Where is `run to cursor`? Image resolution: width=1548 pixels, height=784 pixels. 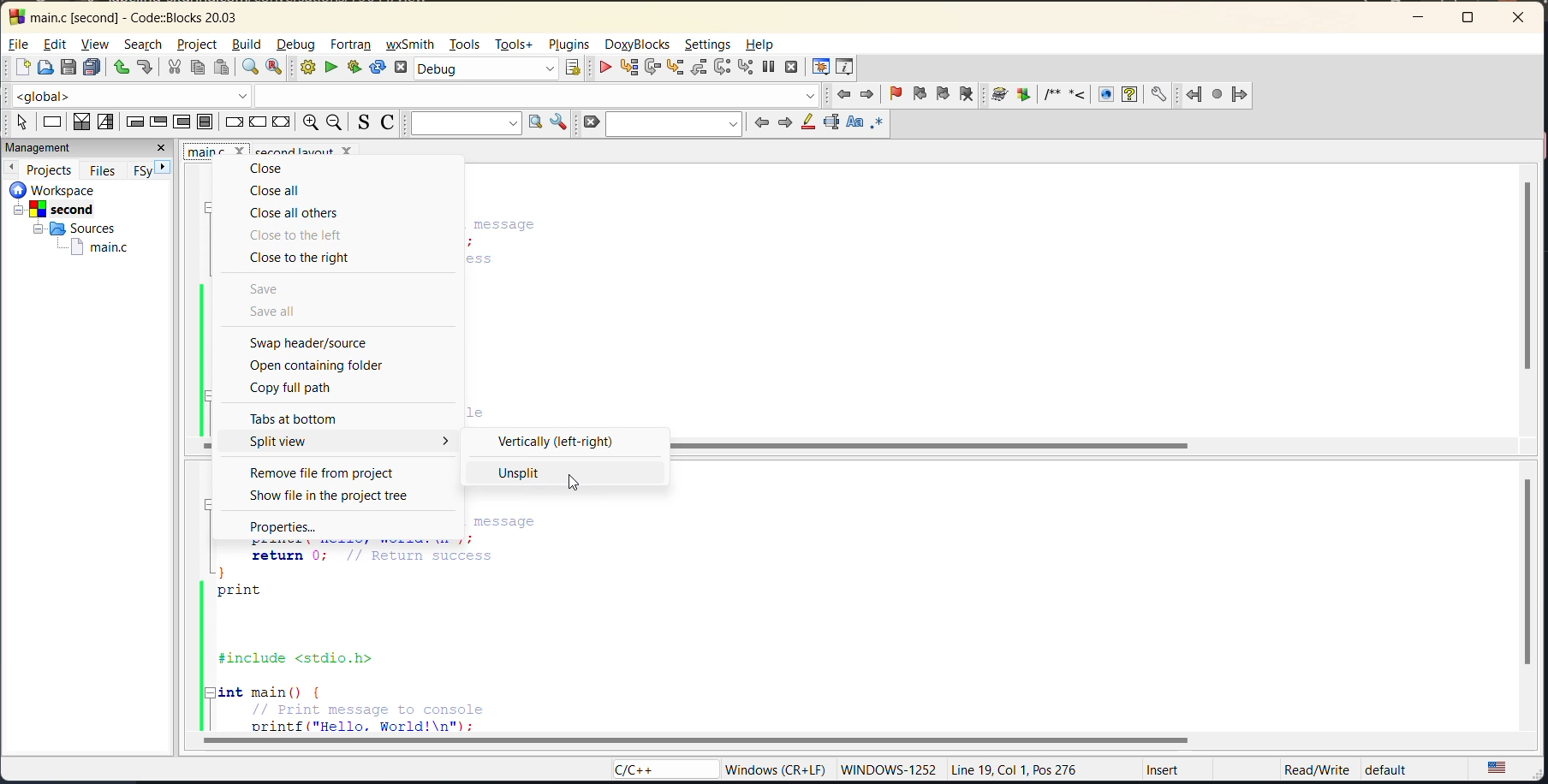
run to cursor is located at coordinates (633, 68).